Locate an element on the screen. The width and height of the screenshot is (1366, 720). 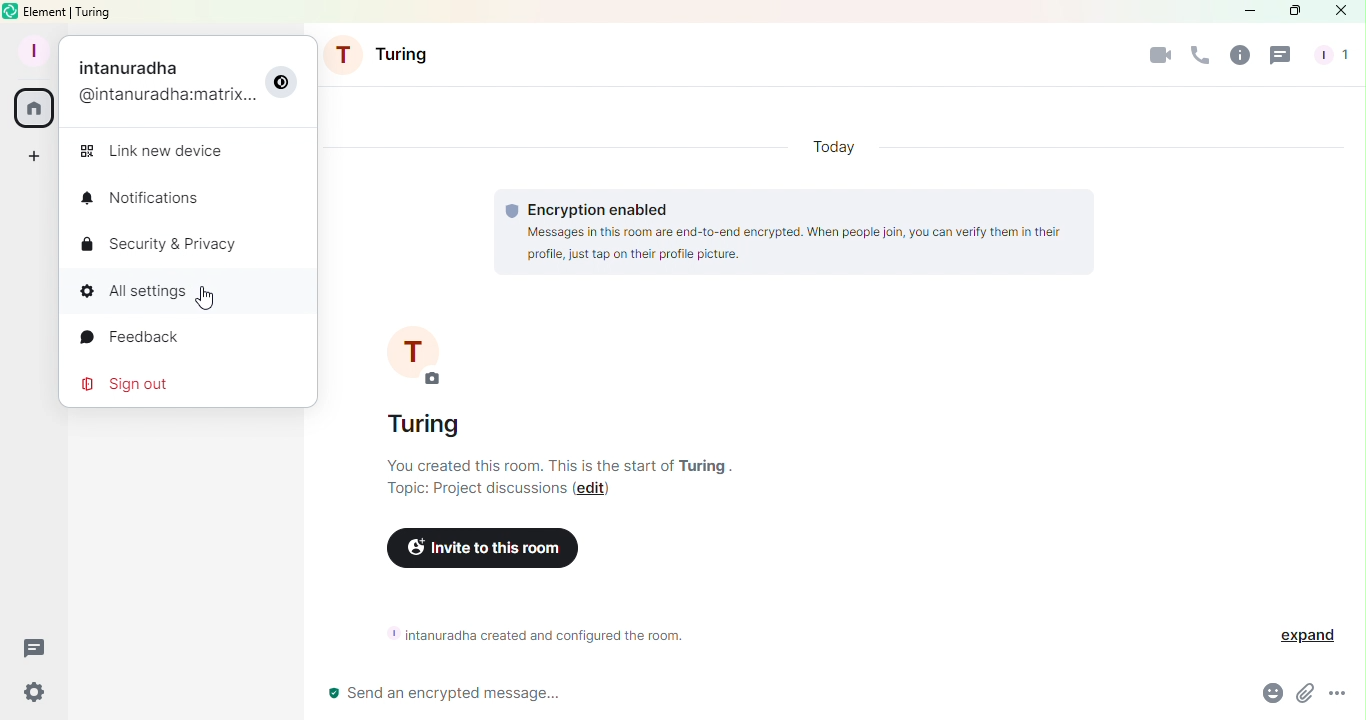
Quick settings is located at coordinates (29, 695).